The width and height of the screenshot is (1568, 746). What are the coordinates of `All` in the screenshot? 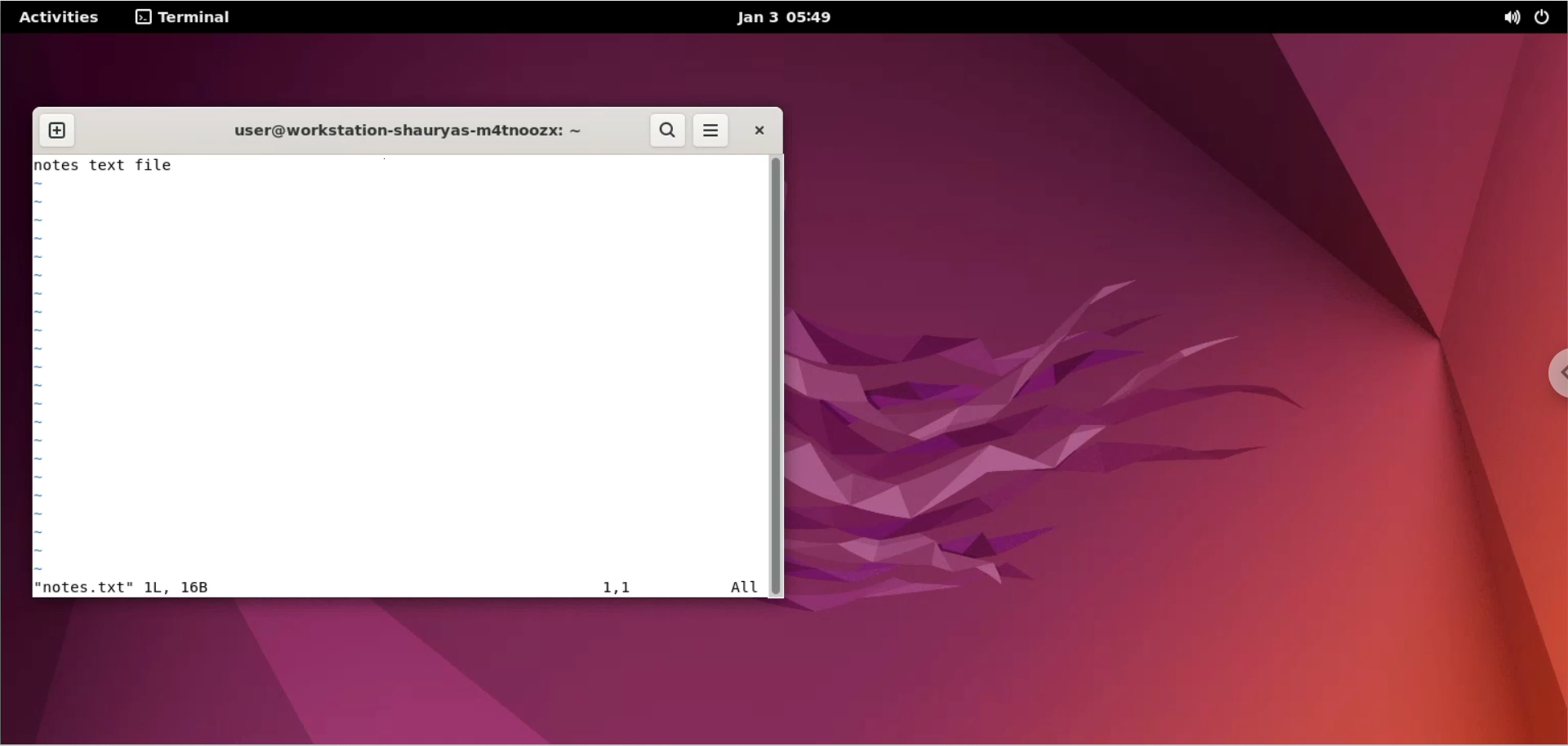 It's located at (743, 589).